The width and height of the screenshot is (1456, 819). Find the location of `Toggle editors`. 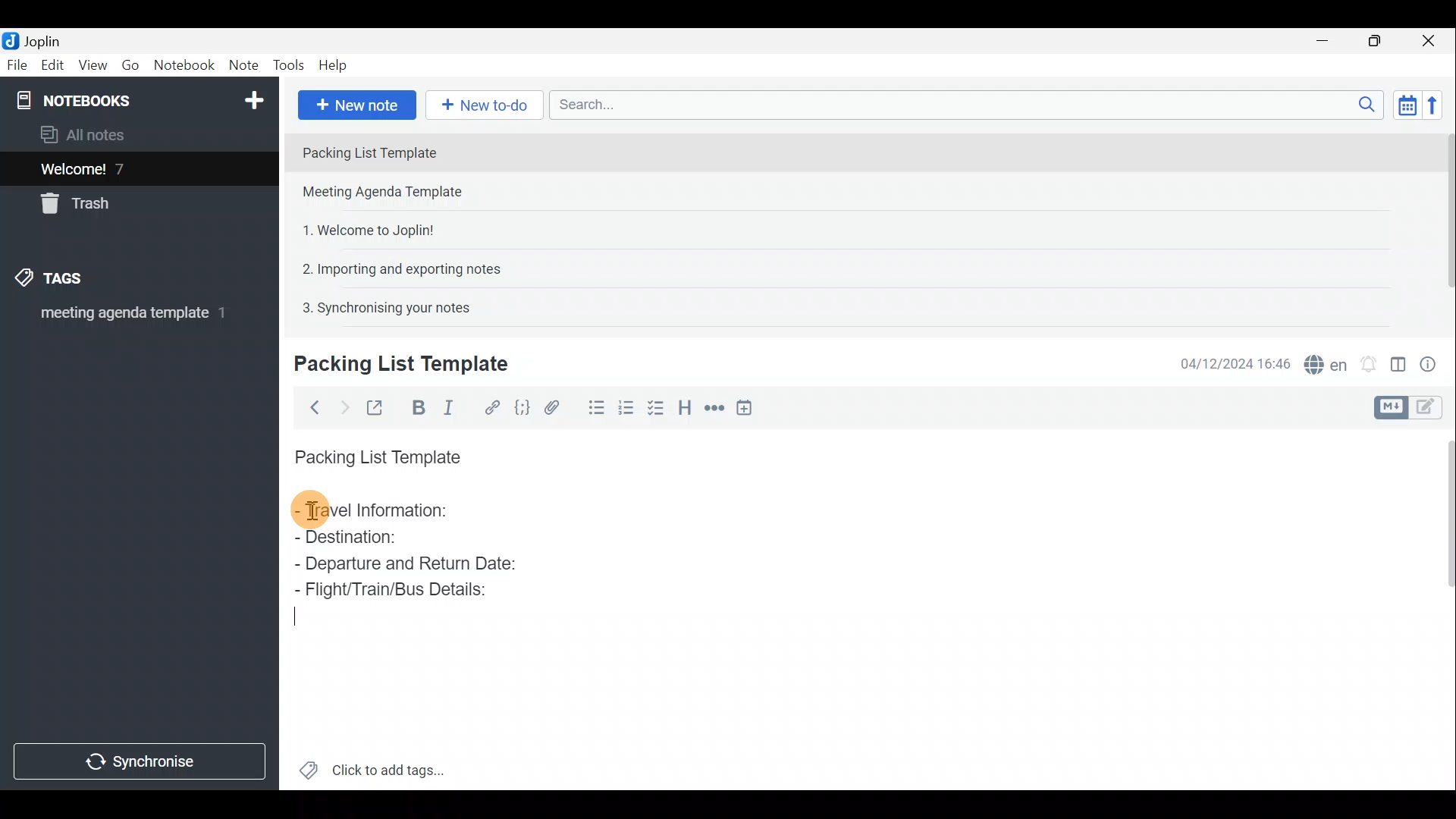

Toggle editors is located at coordinates (1433, 409).